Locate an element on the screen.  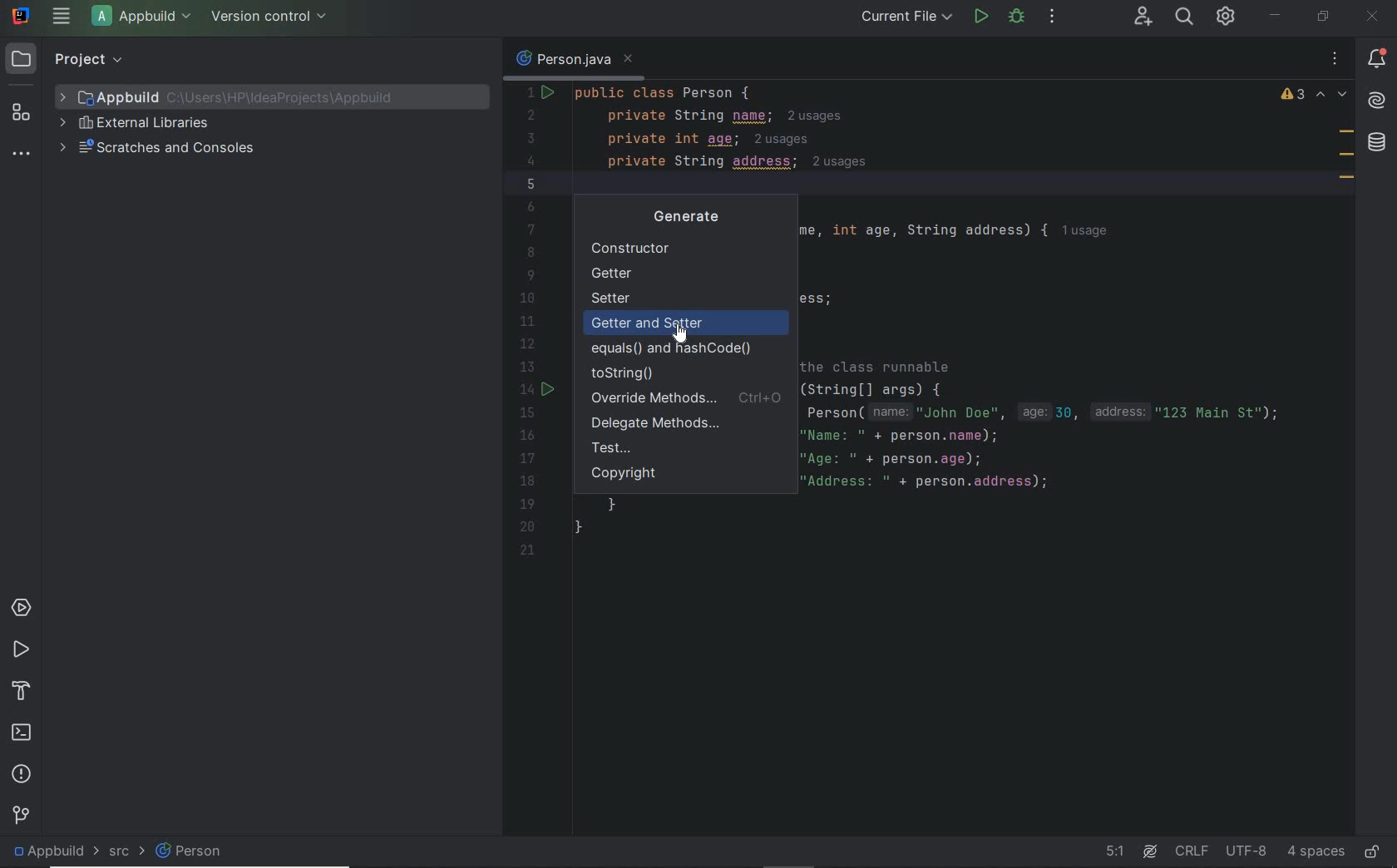
main menu is located at coordinates (60, 17).